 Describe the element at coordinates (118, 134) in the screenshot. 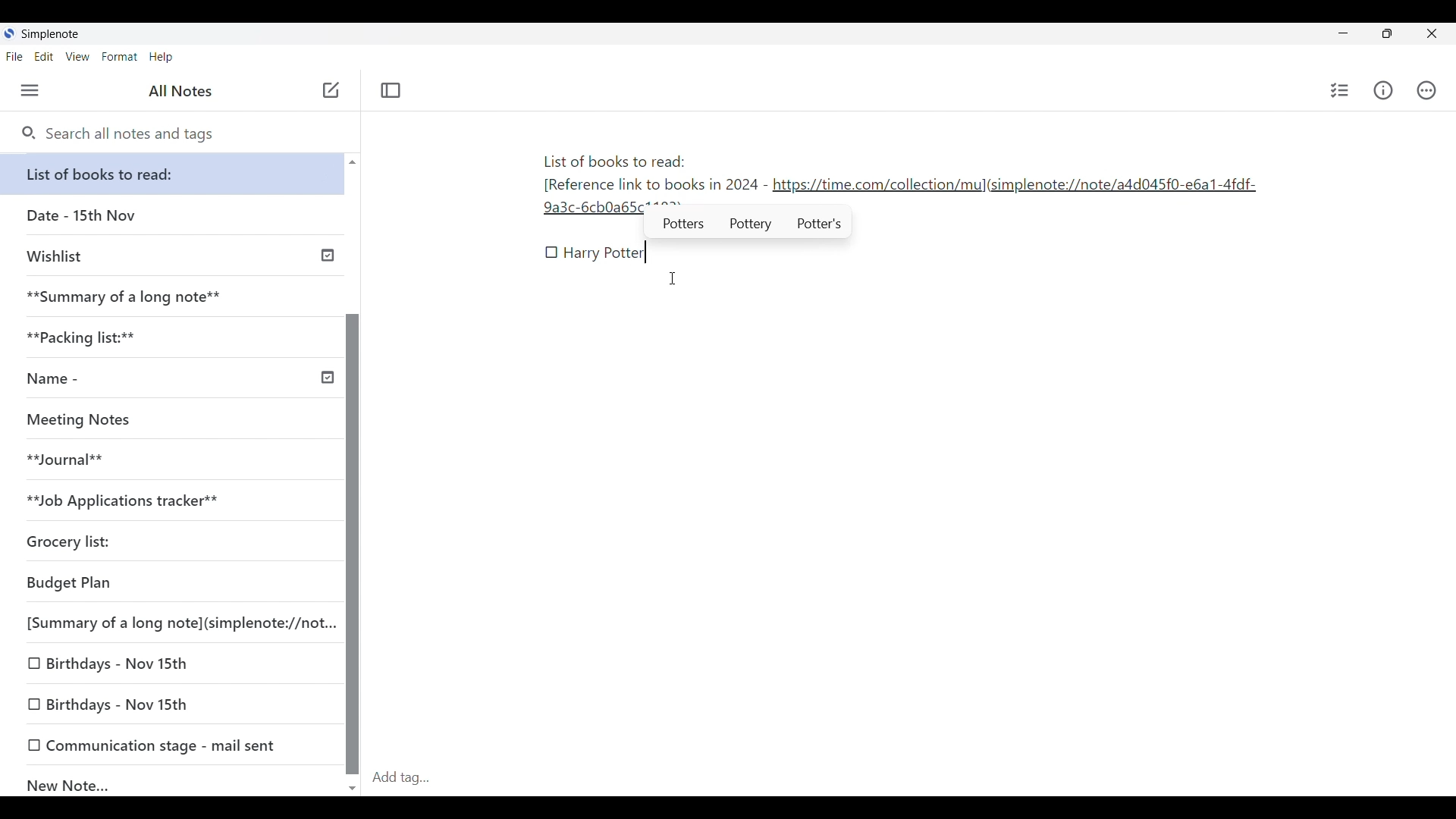

I see `Search all notes and tags` at that location.